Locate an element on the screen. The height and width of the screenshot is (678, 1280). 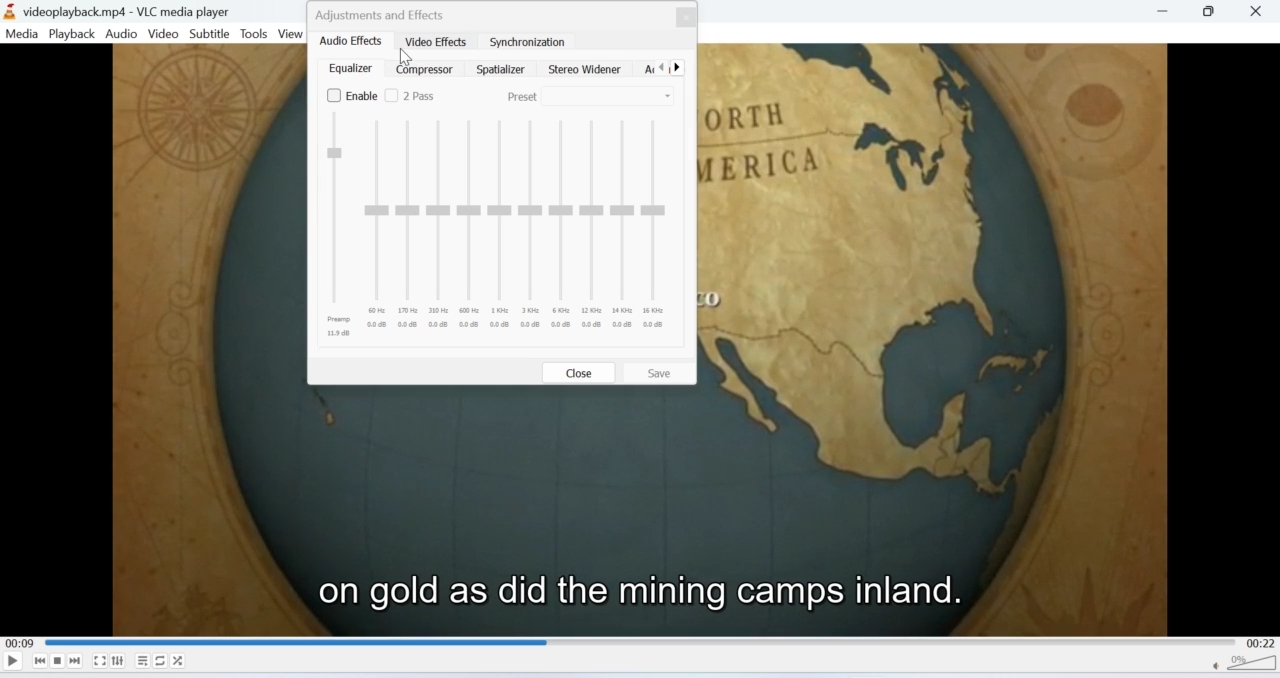
Volume is located at coordinates (1246, 666).